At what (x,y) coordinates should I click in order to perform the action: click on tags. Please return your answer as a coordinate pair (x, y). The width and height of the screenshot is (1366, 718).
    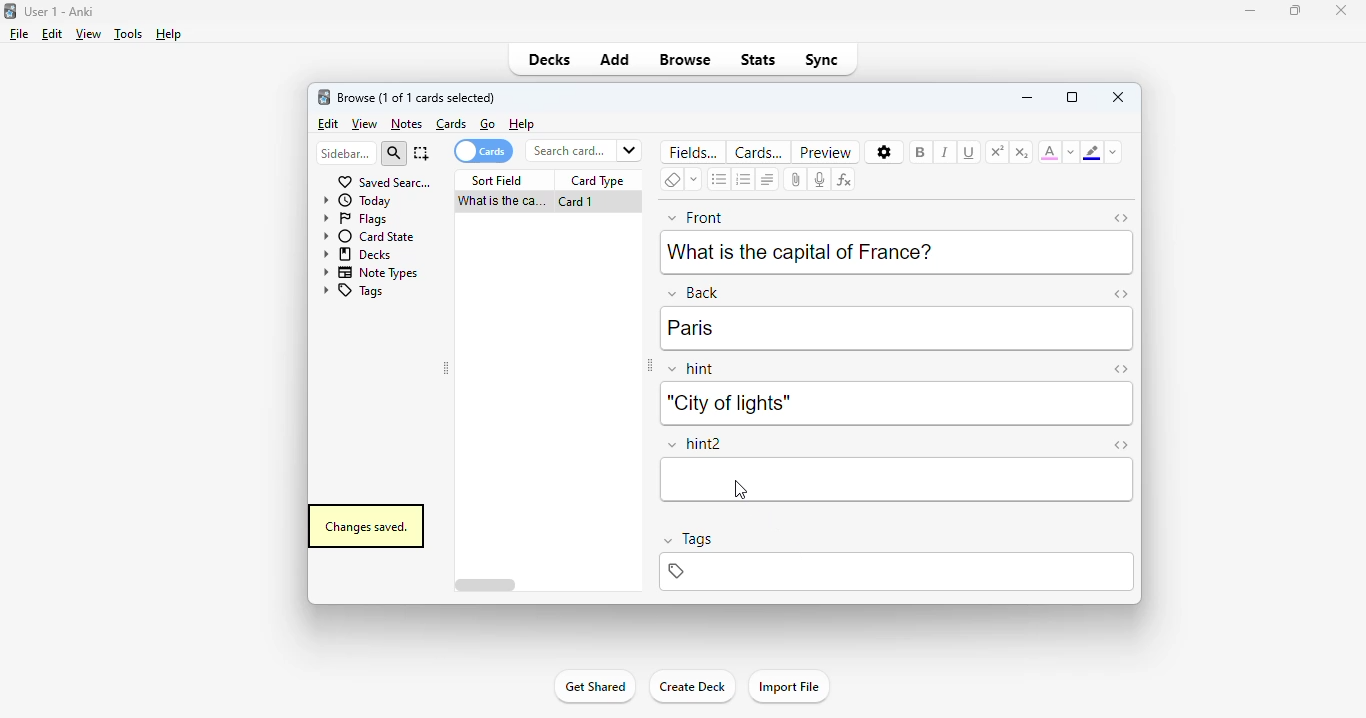
    Looking at the image, I should click on (895, 572).